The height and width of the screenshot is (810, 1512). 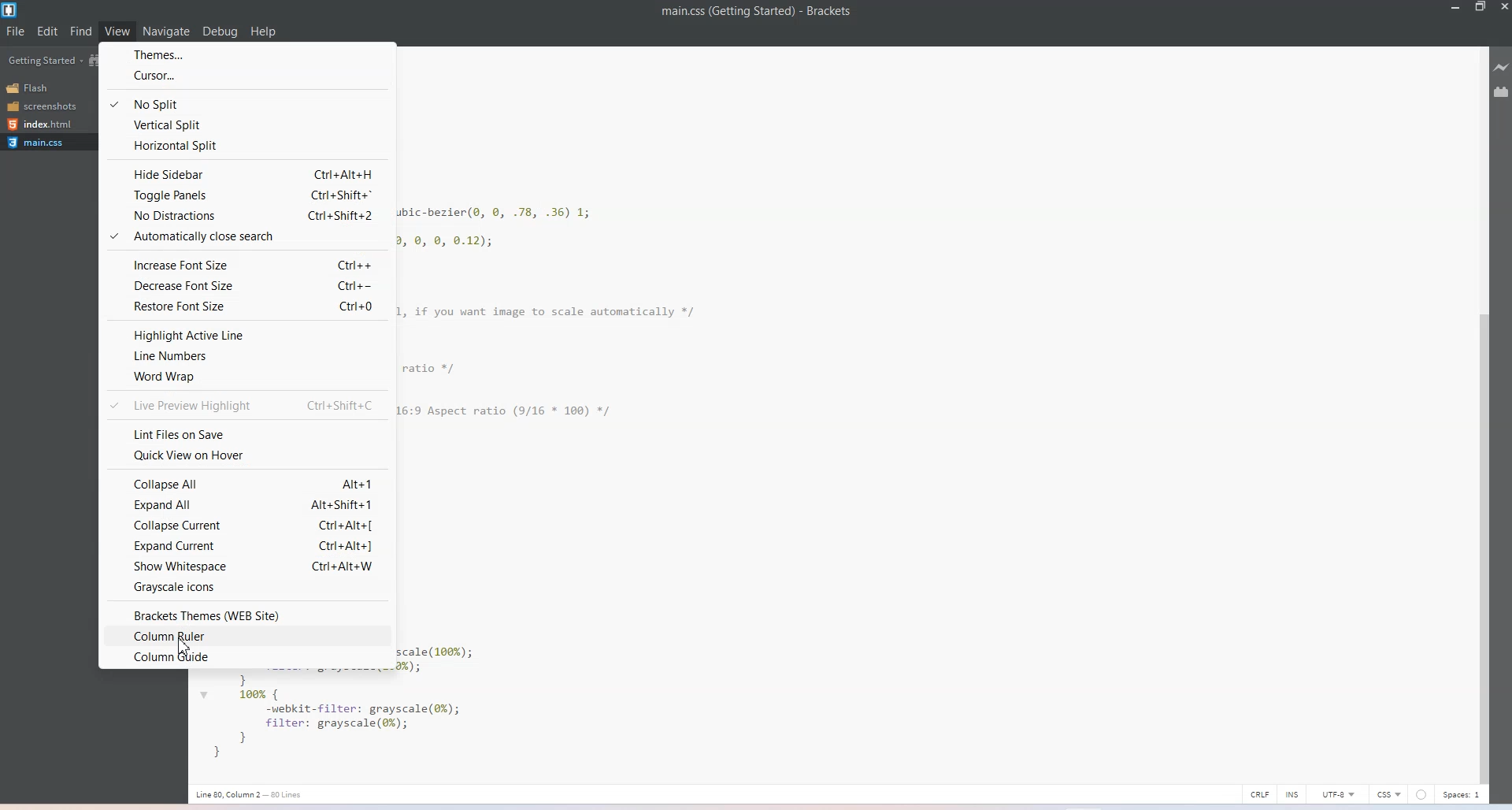 What do you see at coordinates (246, 173) in the screenshot?
I see `Hide Side Bar` at bounding box center [246, 173].